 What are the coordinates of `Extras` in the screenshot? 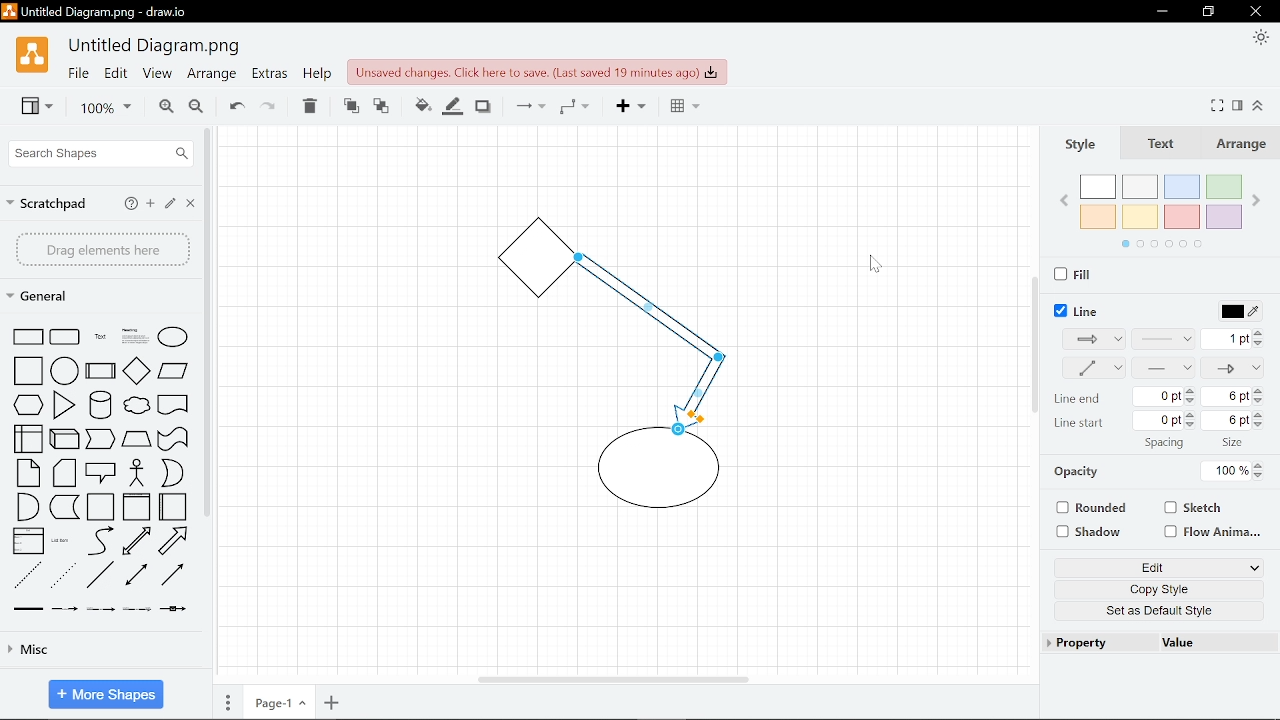 It's located at (270, 76).